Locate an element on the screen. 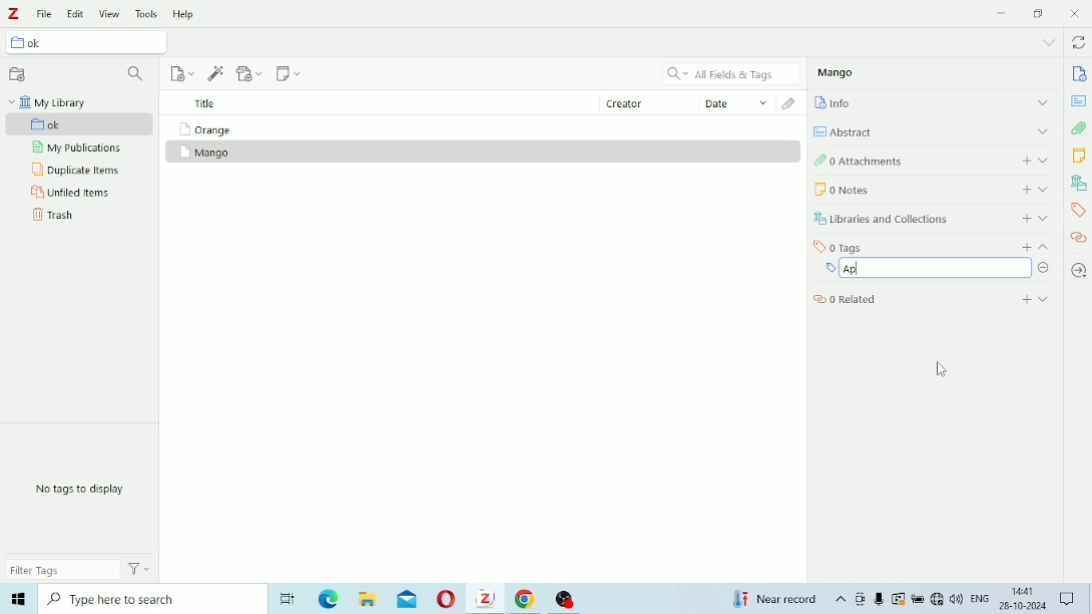 Image resolution: width=1092 pixels, height=614 pixels. Add Item (s) by Identifier is located at coordinates (216, 73).